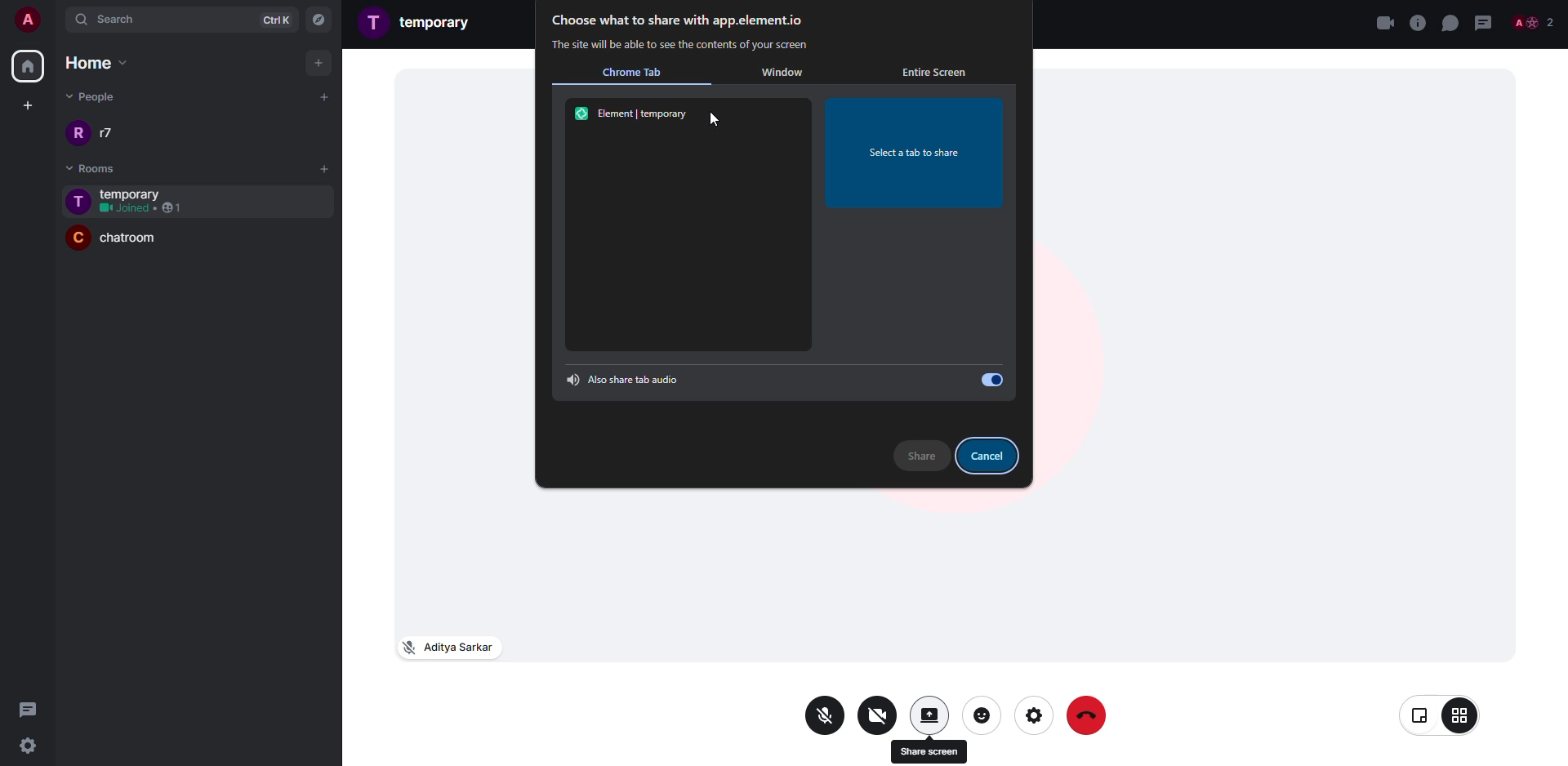 Image resolution: width=1568 pixels, height=766 pixels. What do you see at coordinates (639, 114) in the screenshot?
I see `element` at bounding box center [639, 114].